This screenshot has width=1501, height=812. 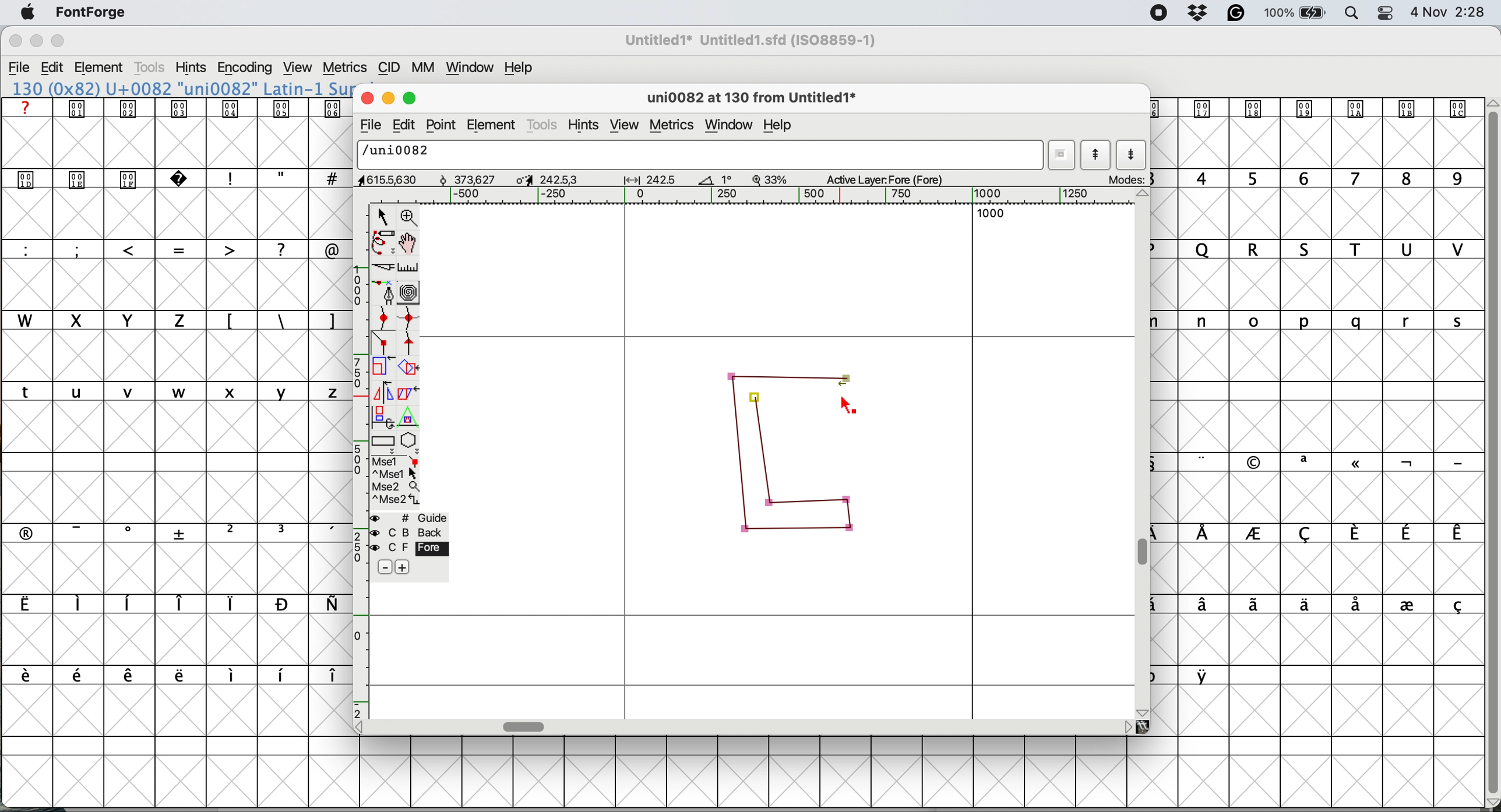 I want to click on metrics, so click(x=674, y=127).